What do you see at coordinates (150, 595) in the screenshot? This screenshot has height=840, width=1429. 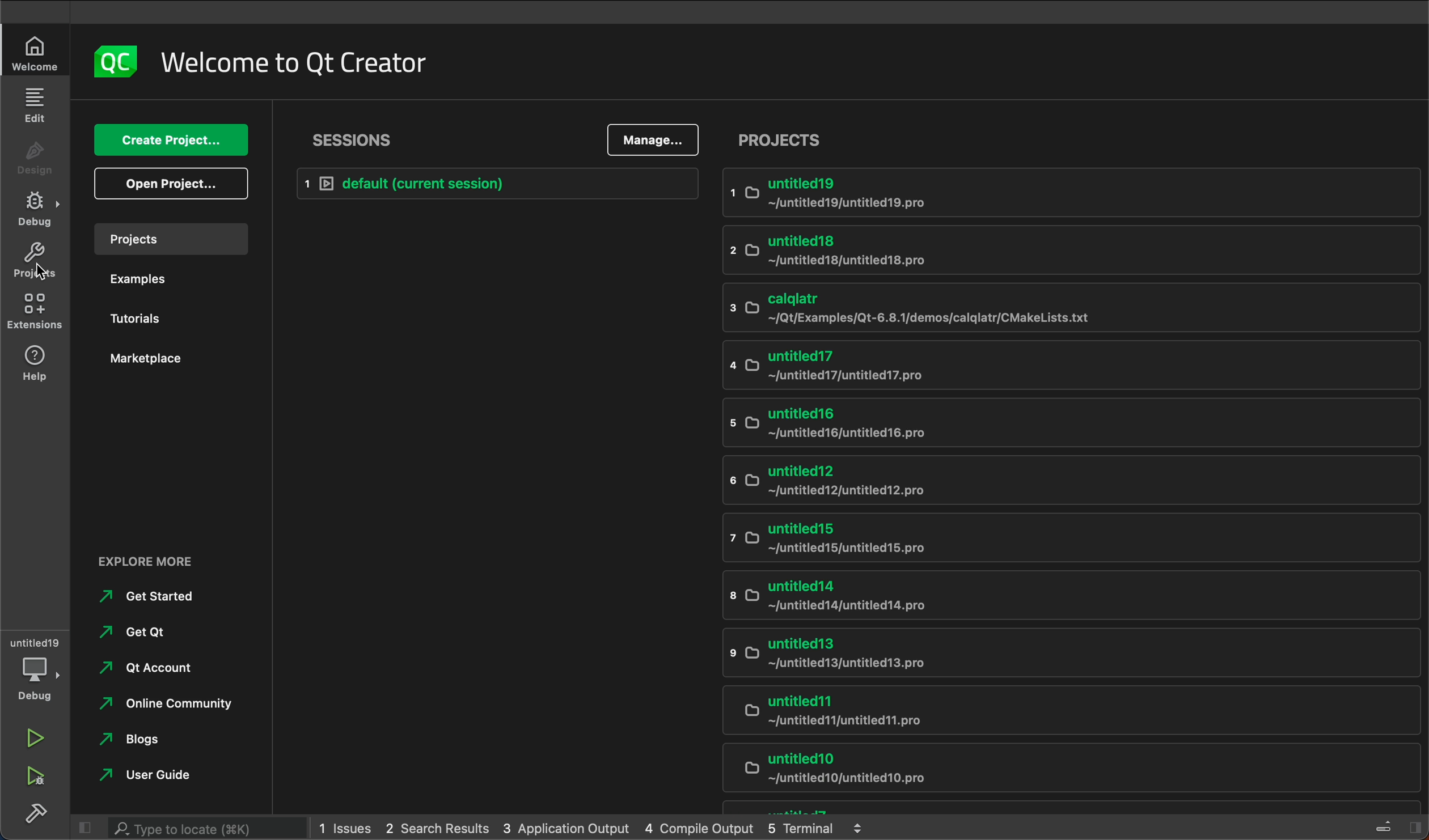 I see `get started` at bounding box center [150, 595].